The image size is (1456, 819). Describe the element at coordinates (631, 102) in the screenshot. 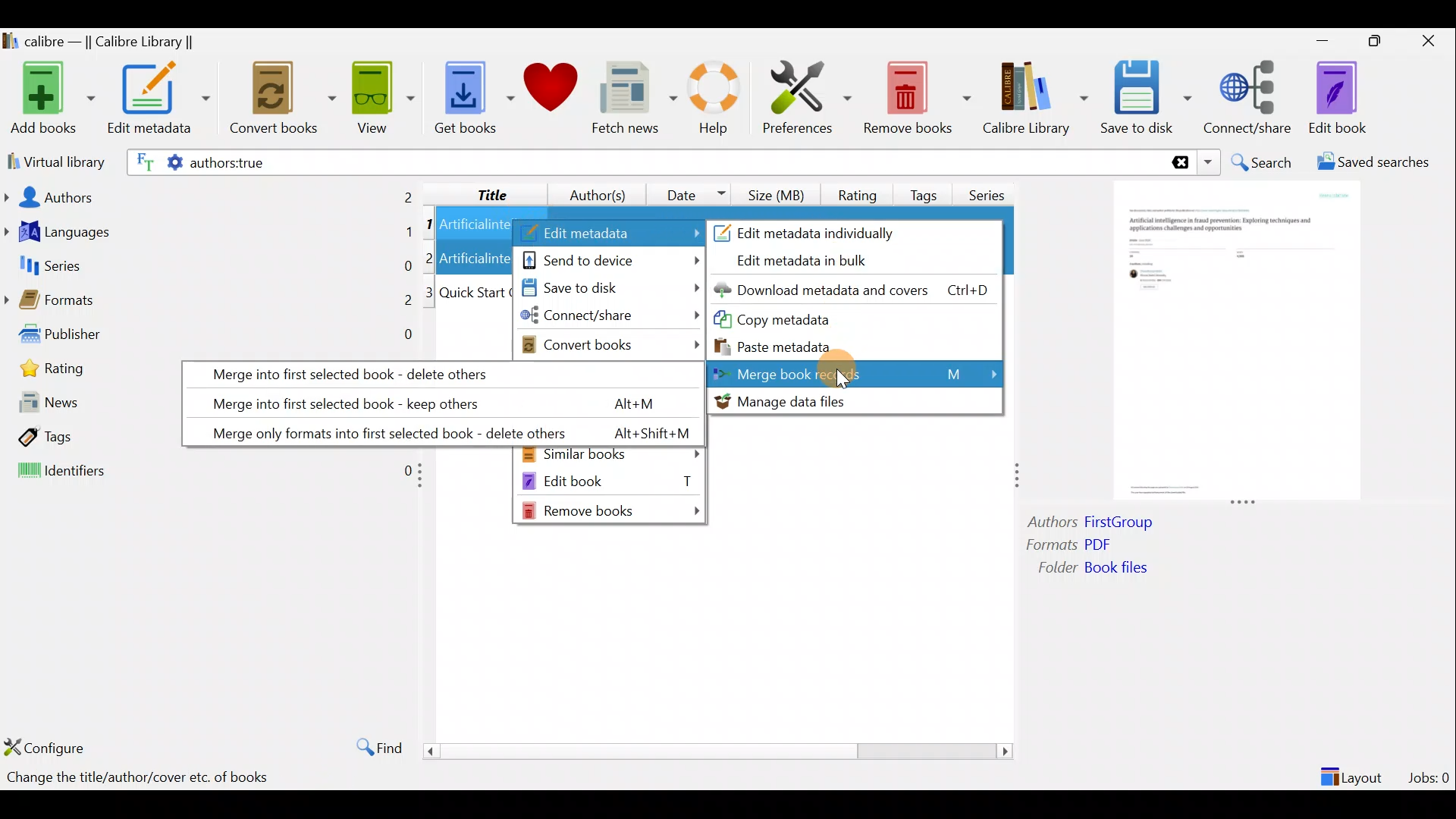

I see `Fetch news` at that location.